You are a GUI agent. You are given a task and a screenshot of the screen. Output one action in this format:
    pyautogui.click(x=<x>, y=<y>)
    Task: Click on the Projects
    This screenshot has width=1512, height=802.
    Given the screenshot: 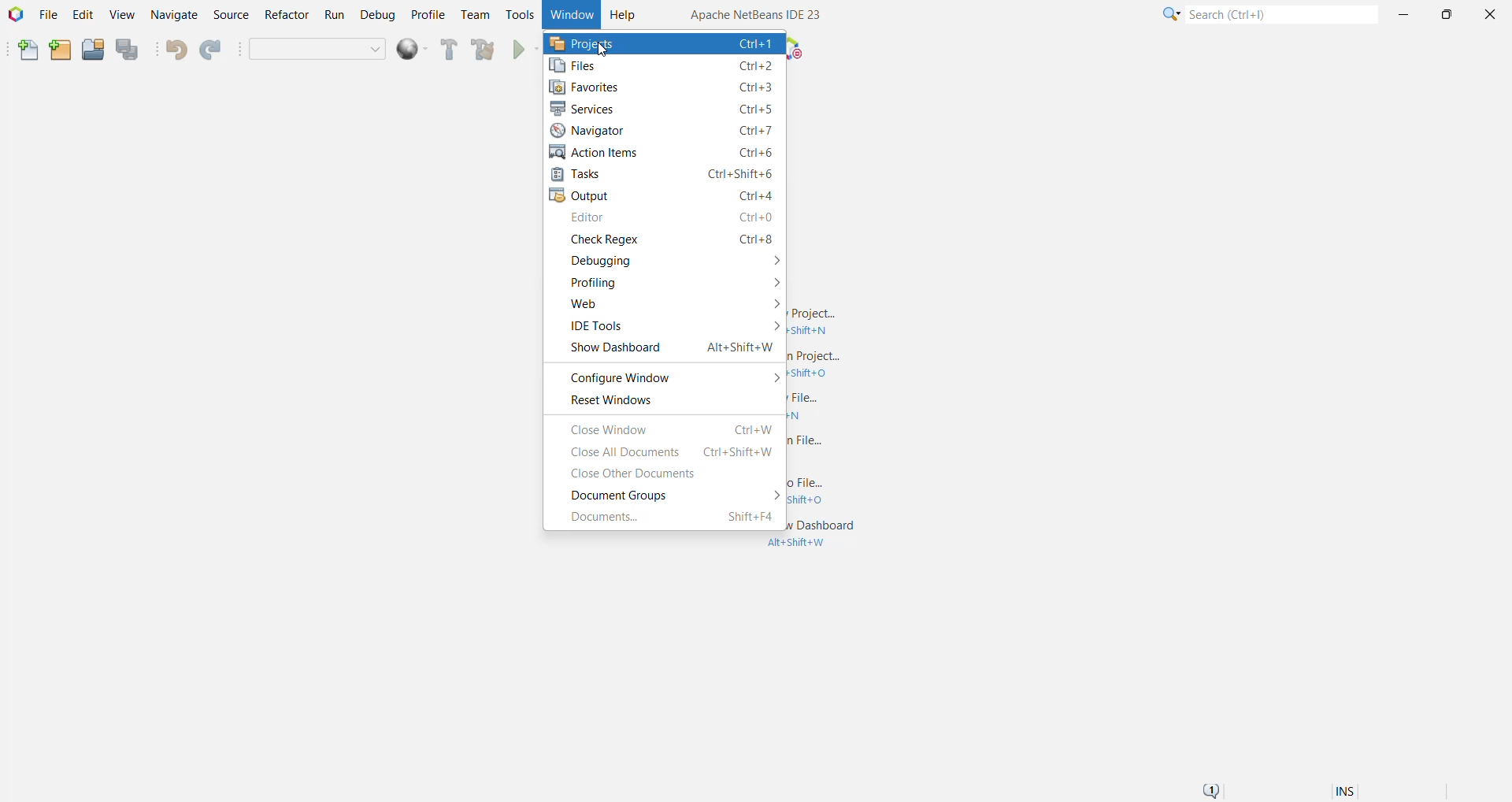 What is the action you would take?
    pyautogui.click(x=664, y=43)
    